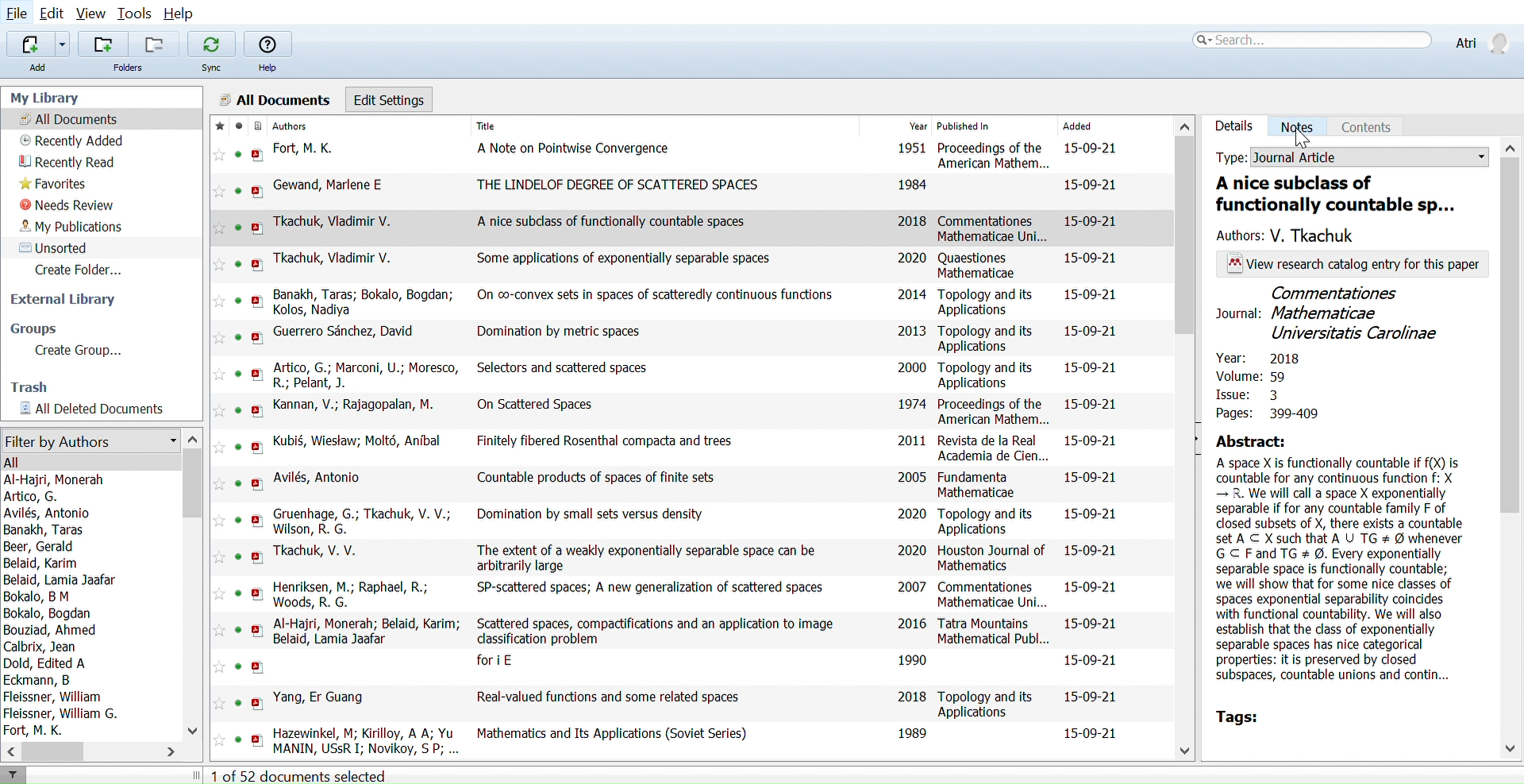  Describe the element at coordinates (269, 44) in the screenshot. I see `Help` at that location.